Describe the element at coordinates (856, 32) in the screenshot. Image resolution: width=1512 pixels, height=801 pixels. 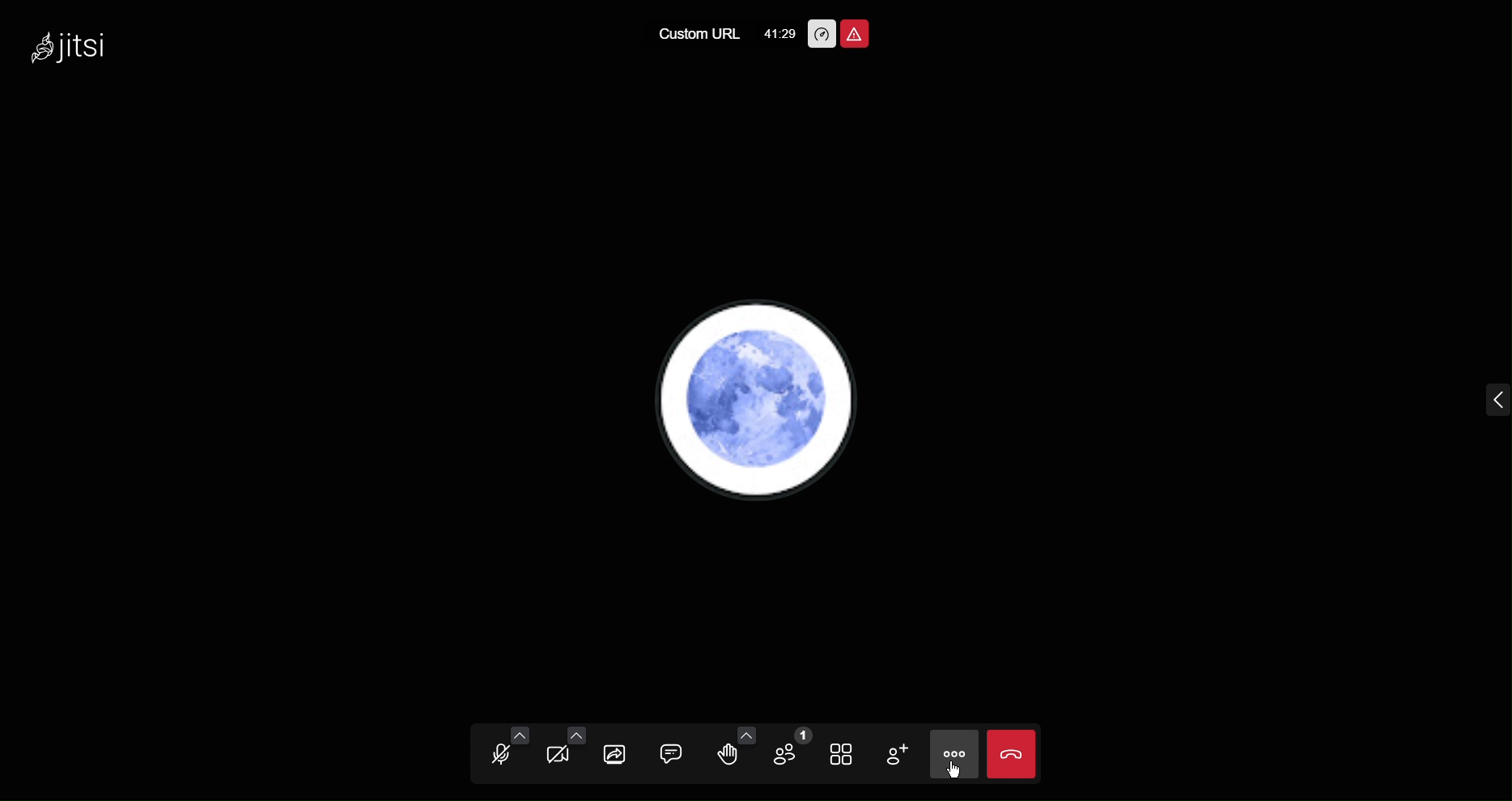
I see `Unsafe` at that location.